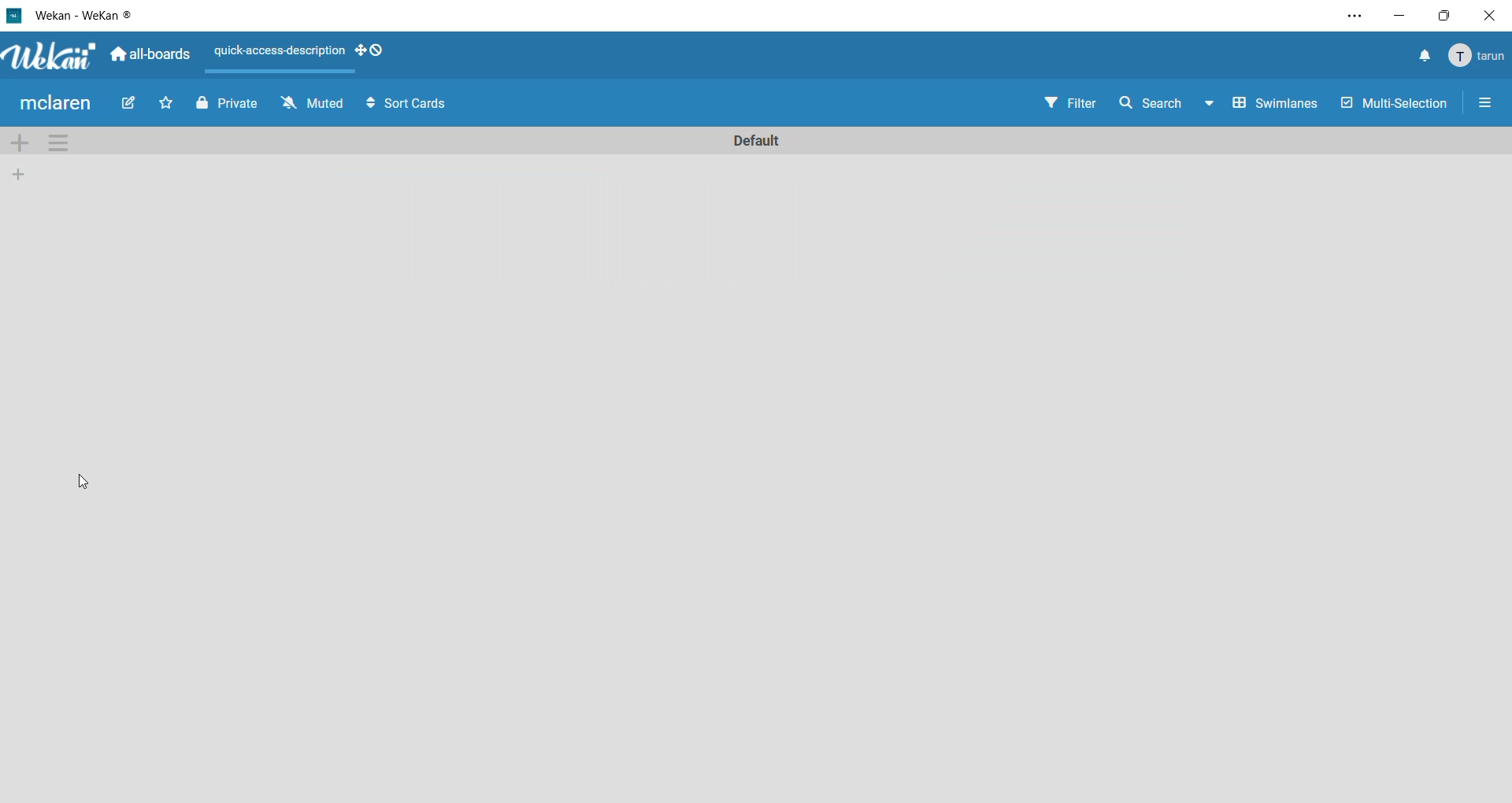 The image size is (1512, 803). Describe the element at coordinates (1403, 16) in the screenshot. I see `minimize` at that location.